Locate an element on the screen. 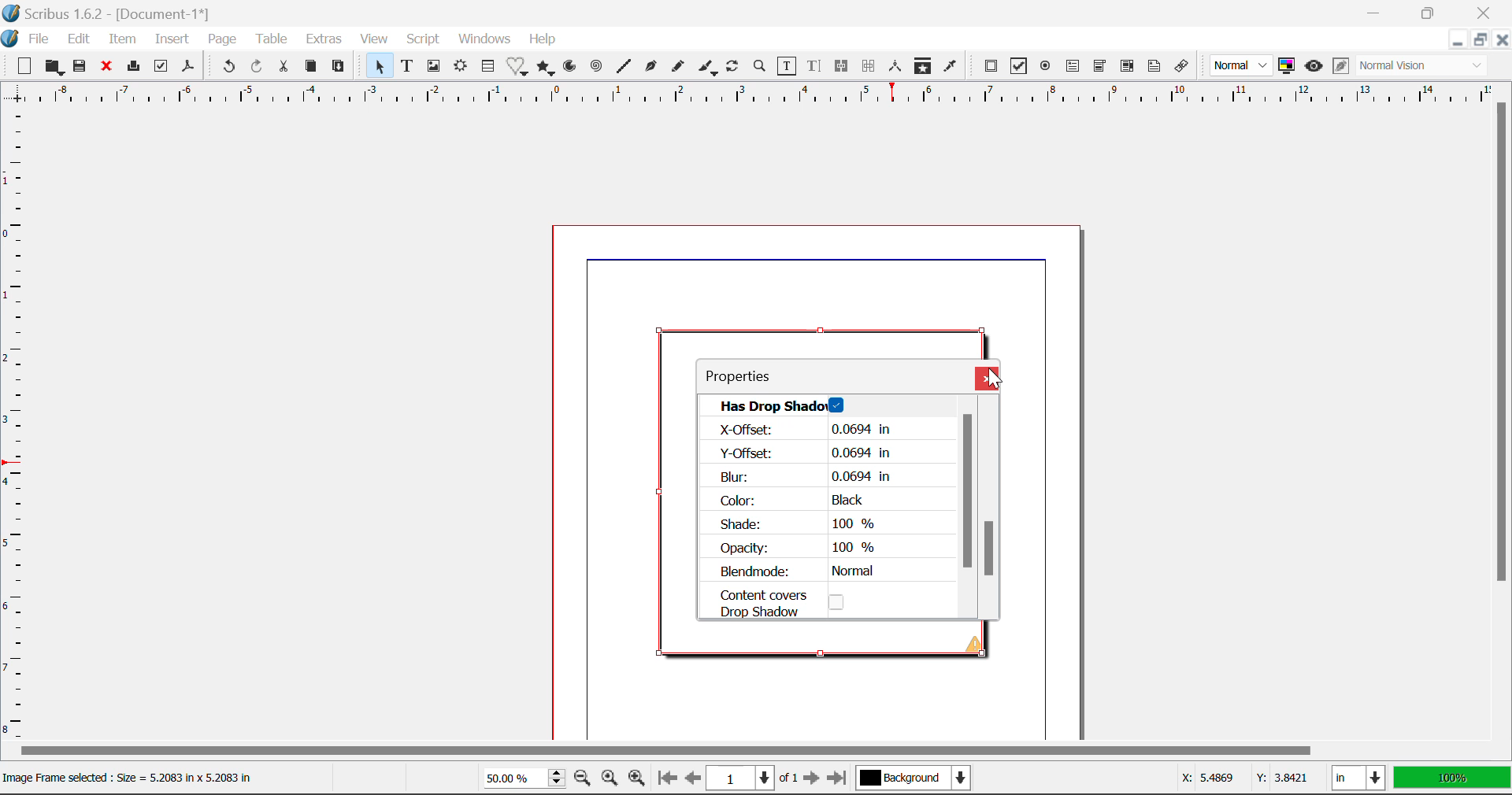 The height and width of the screenshot is (795, 1512). Refresh is located at coordinates (733, 67).